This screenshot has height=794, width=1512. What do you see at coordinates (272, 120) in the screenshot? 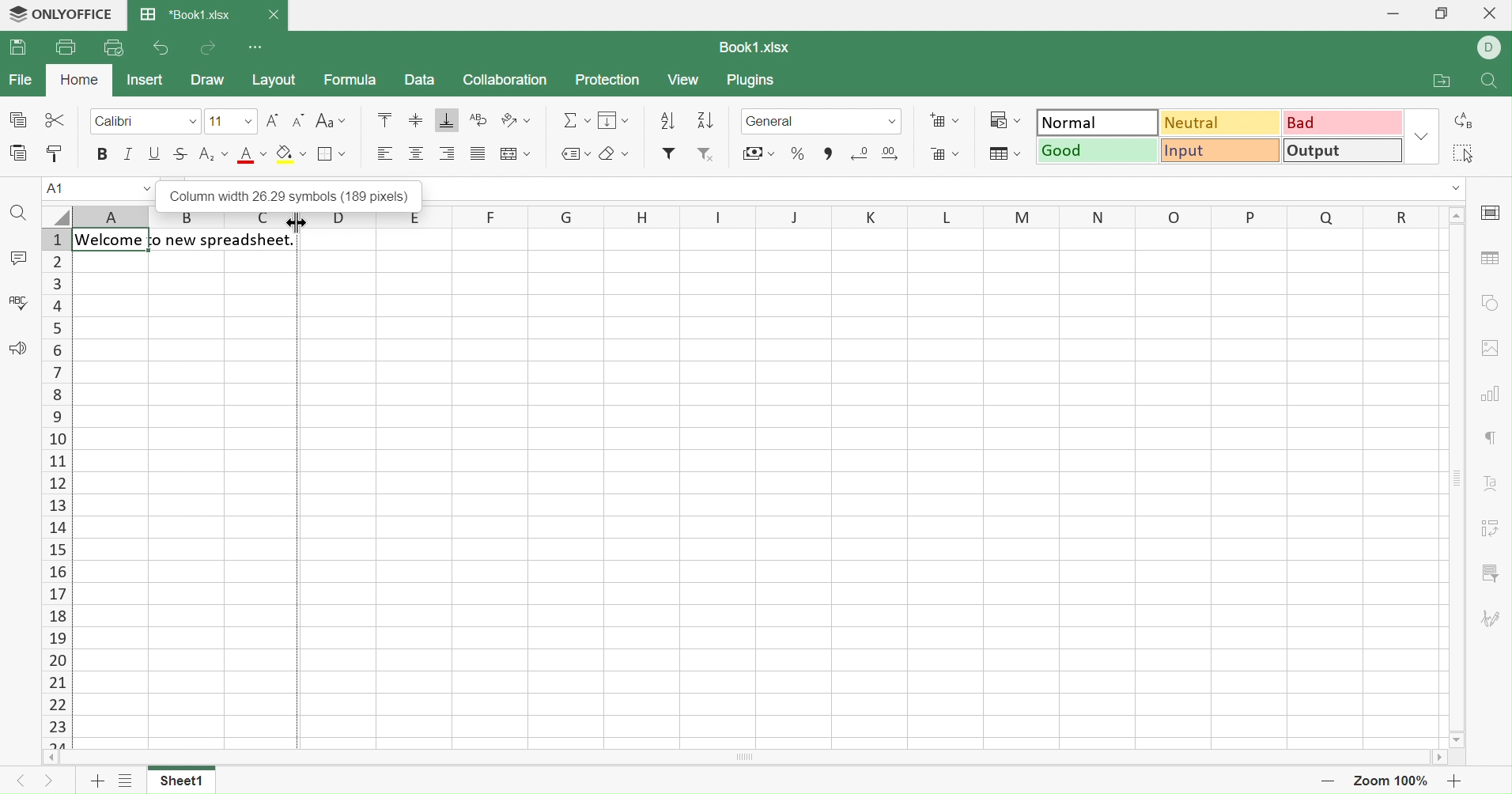
I see `Increment font size` at bounding box center [272, 120].